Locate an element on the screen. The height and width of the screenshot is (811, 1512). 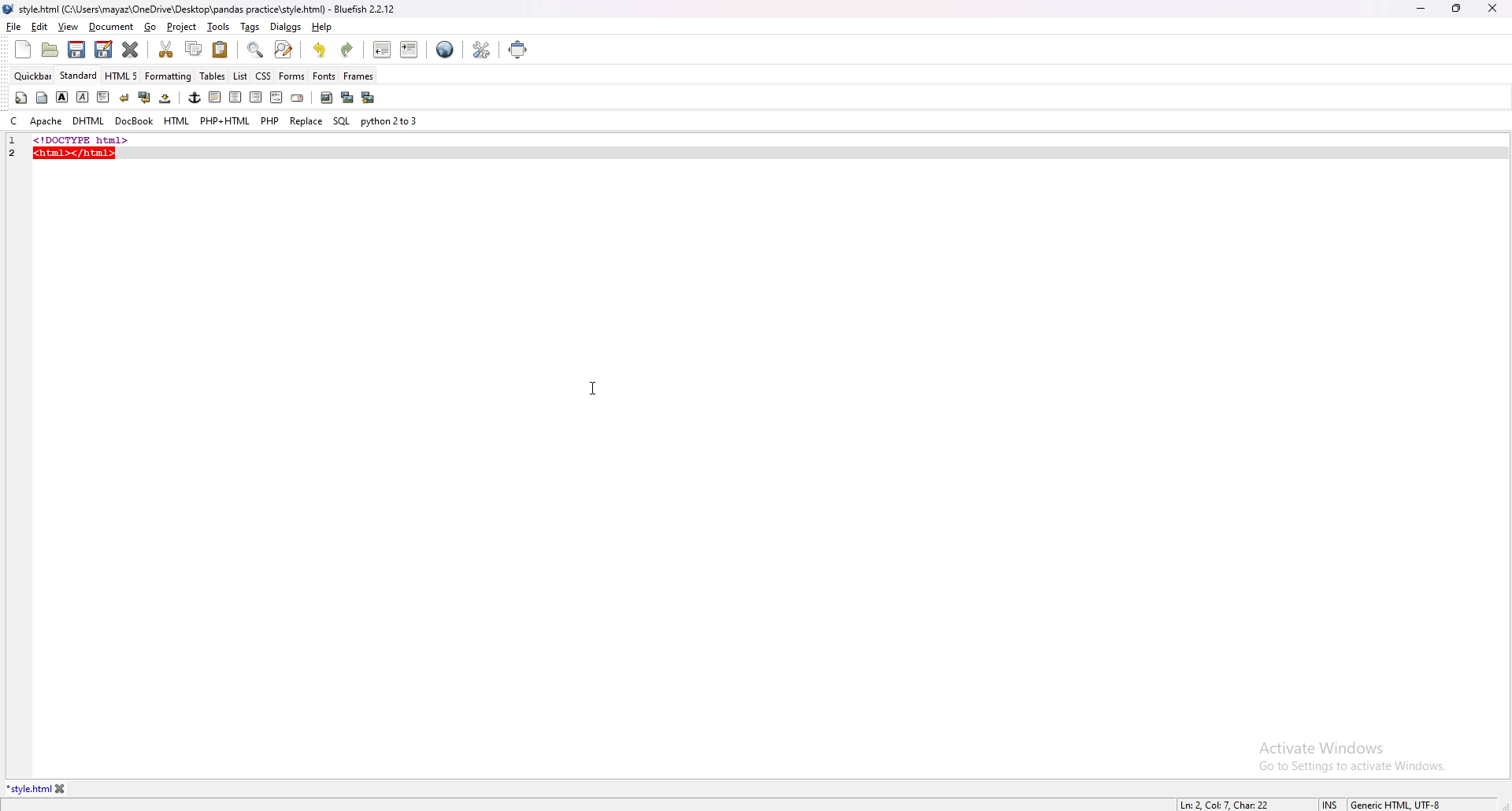
file name is located at coordinates (202, 10).